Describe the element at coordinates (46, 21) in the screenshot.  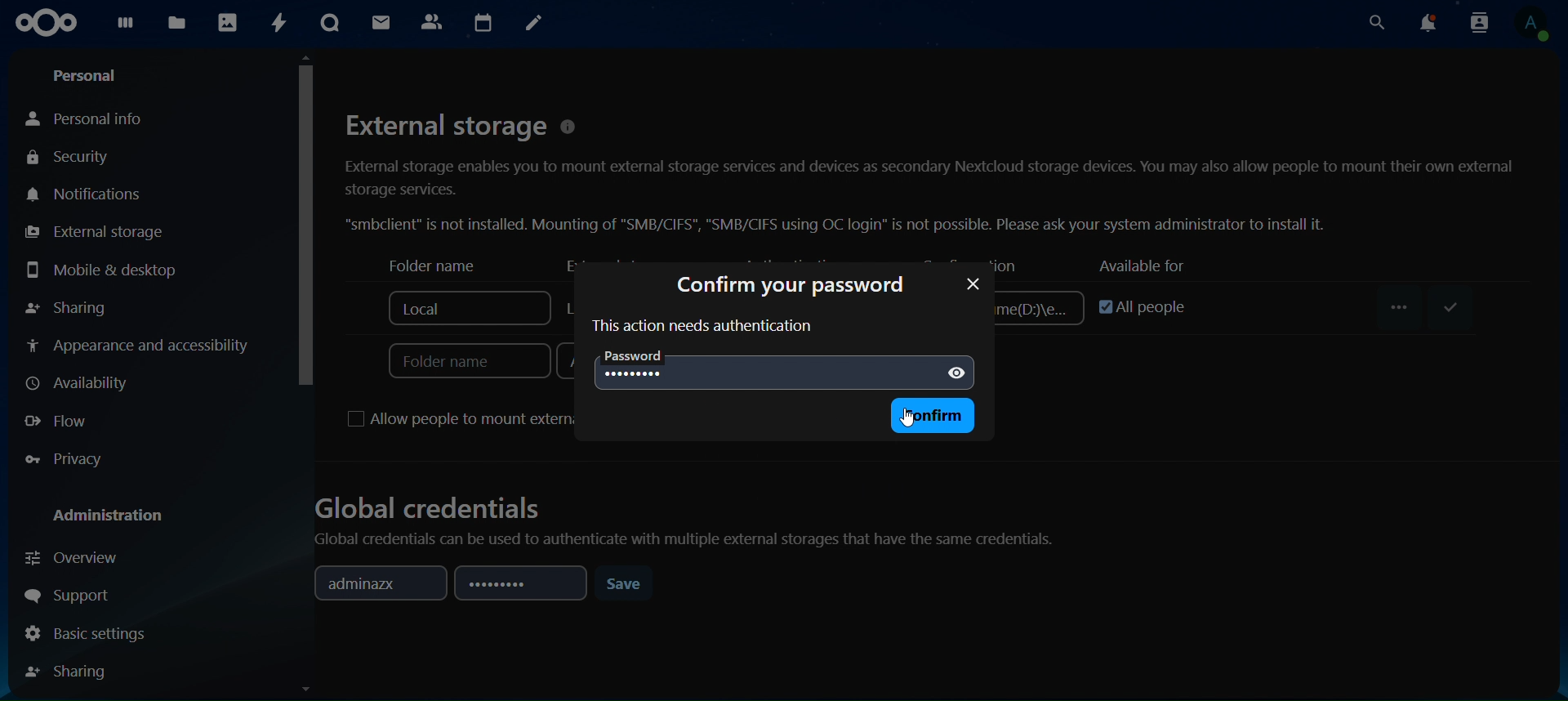
I see `icon` at that location.